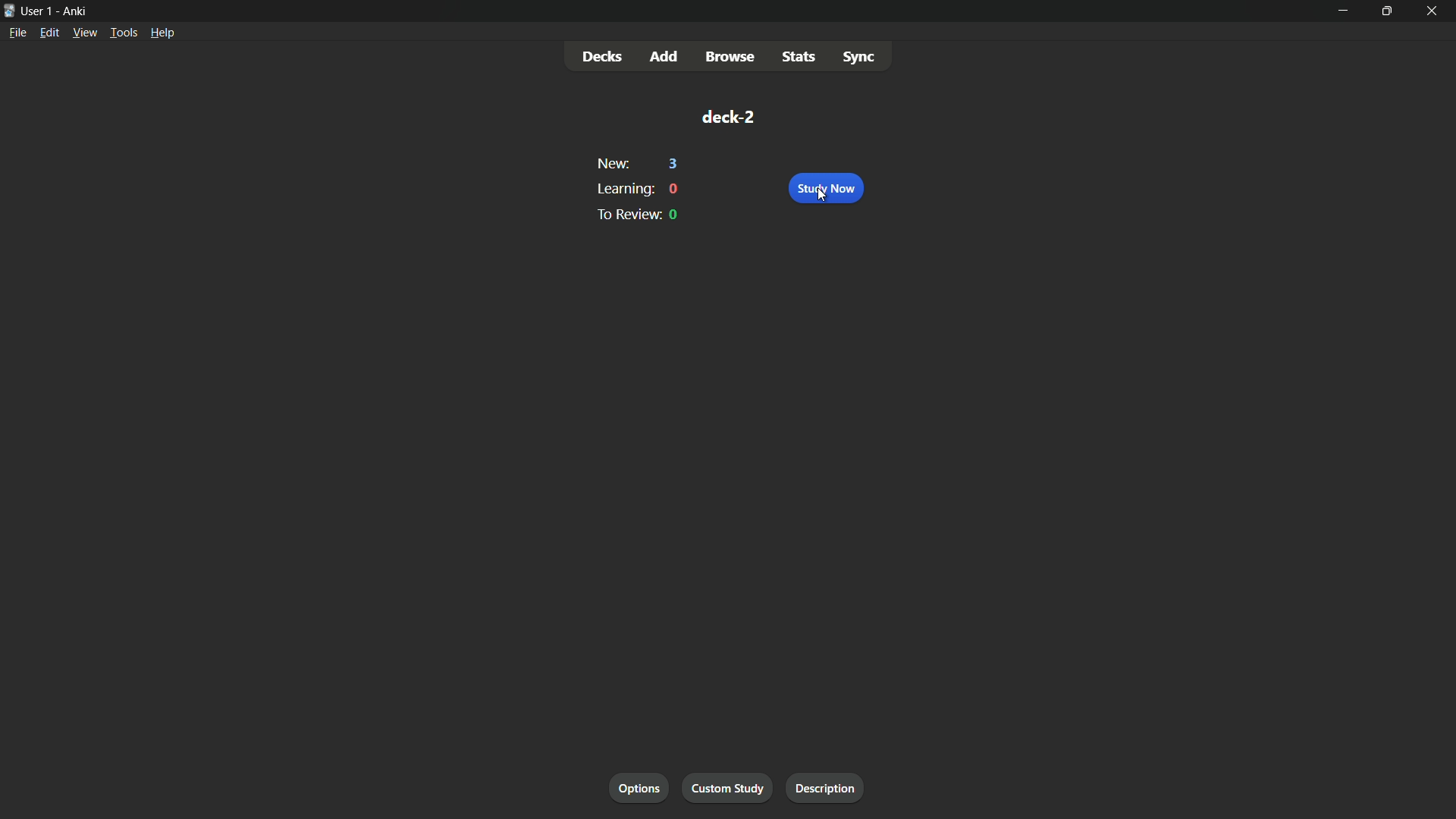  Describe the element at coordinates (827, 188) in the screenshot. I see `study now` at that location.